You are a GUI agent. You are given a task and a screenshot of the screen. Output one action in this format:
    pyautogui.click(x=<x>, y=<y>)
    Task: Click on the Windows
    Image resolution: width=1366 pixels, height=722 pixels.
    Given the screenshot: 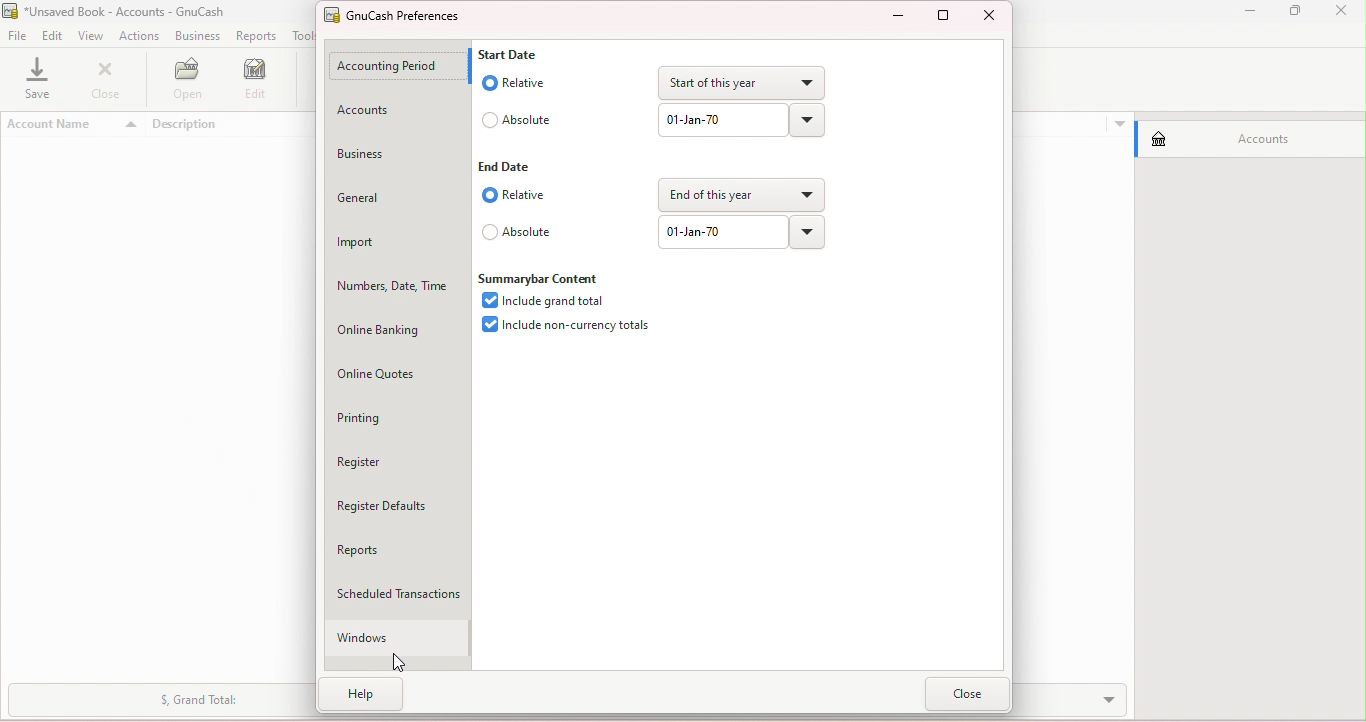 What is the action you would take?
    pyautogui.click(x=391, y=639)
    